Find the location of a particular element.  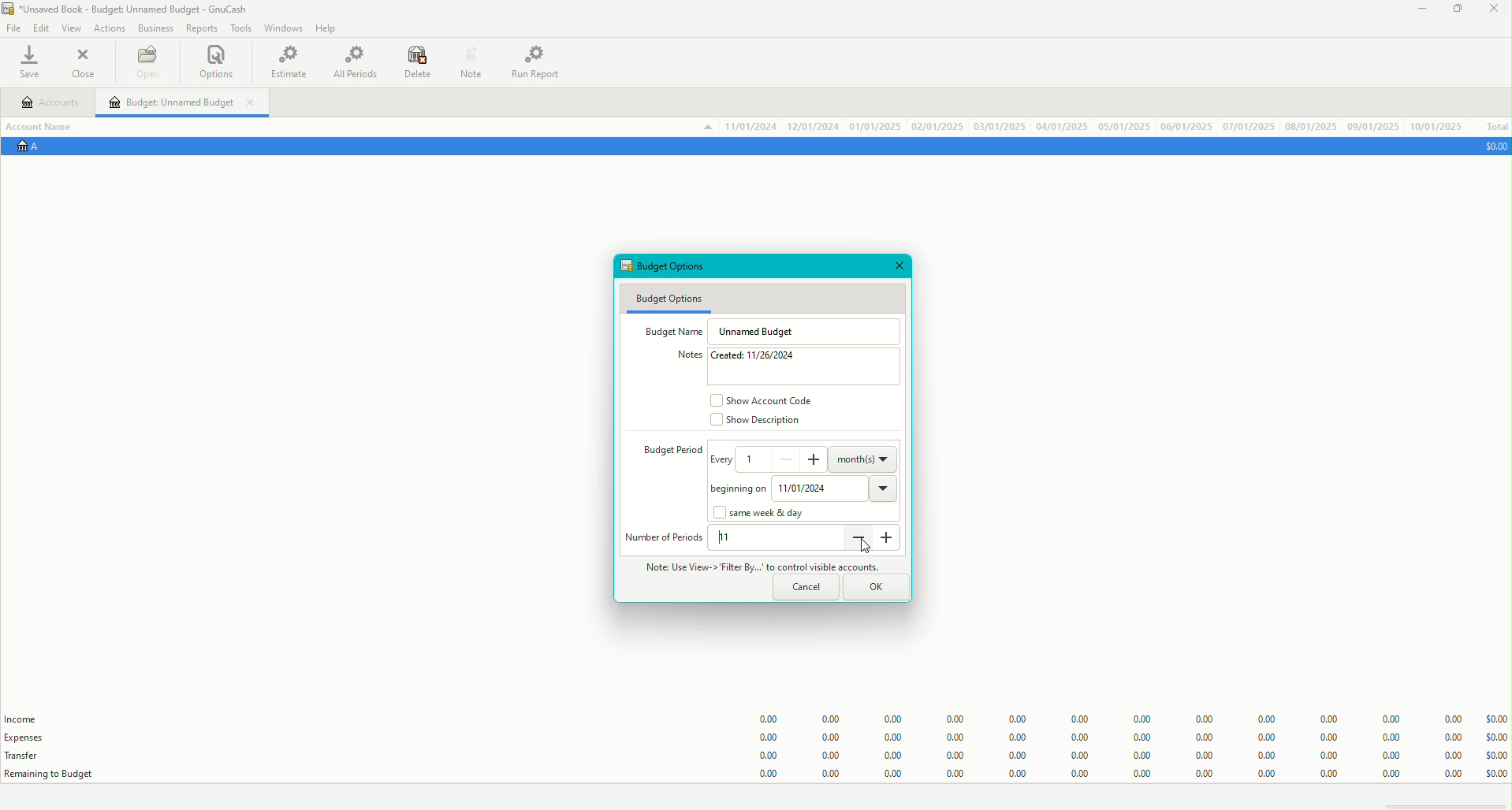

Close is located at coordinates (85, 63).